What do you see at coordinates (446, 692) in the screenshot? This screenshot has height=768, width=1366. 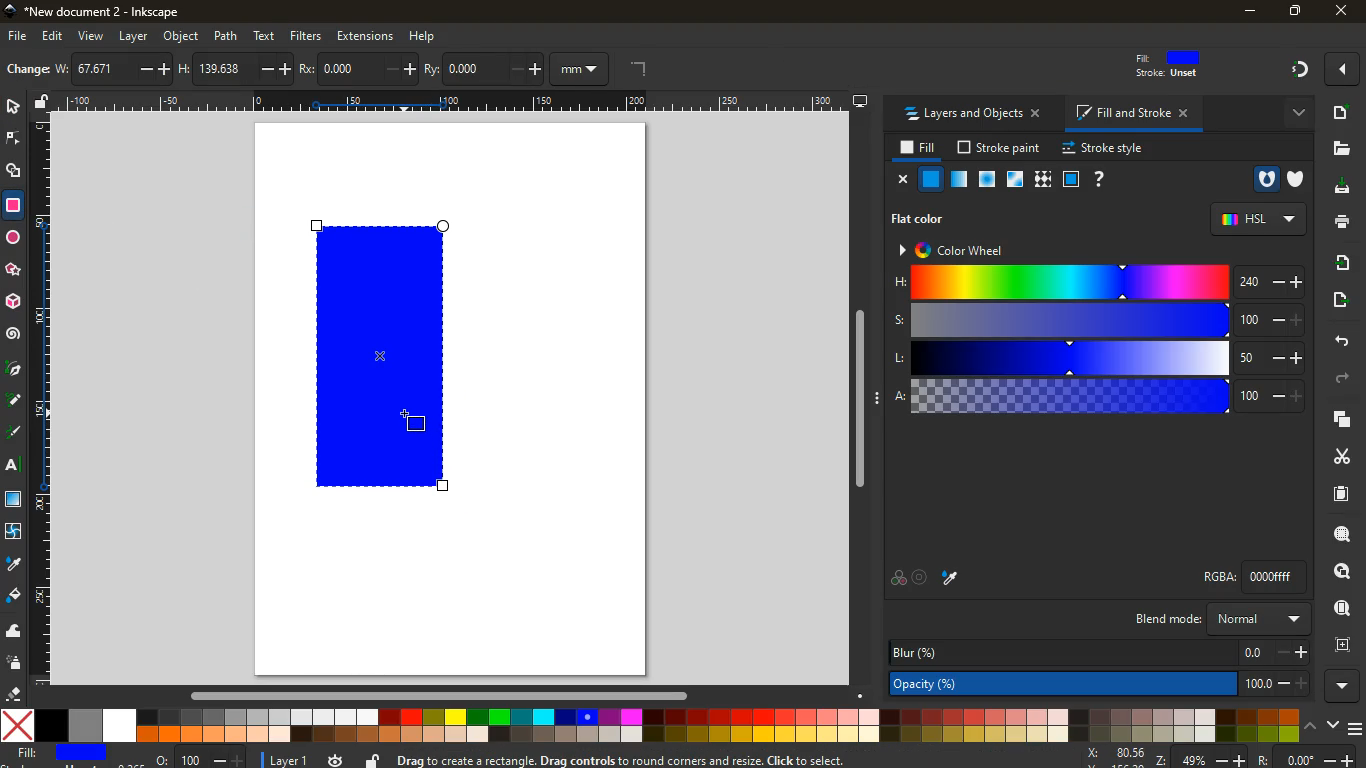 I see `` at bounding box center [446, 692].